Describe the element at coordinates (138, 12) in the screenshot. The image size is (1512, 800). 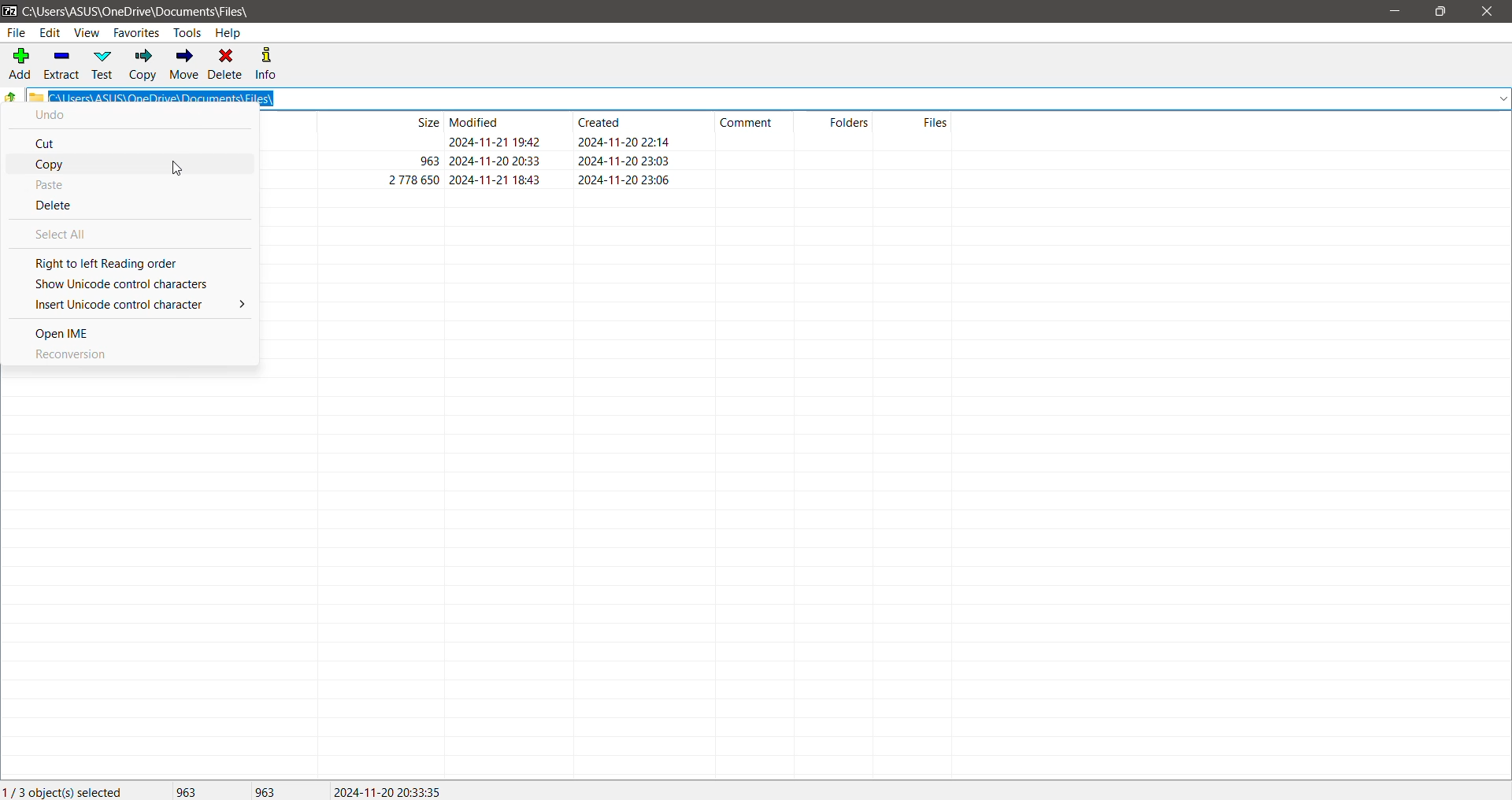
I see `Current Folder Path` at that location.